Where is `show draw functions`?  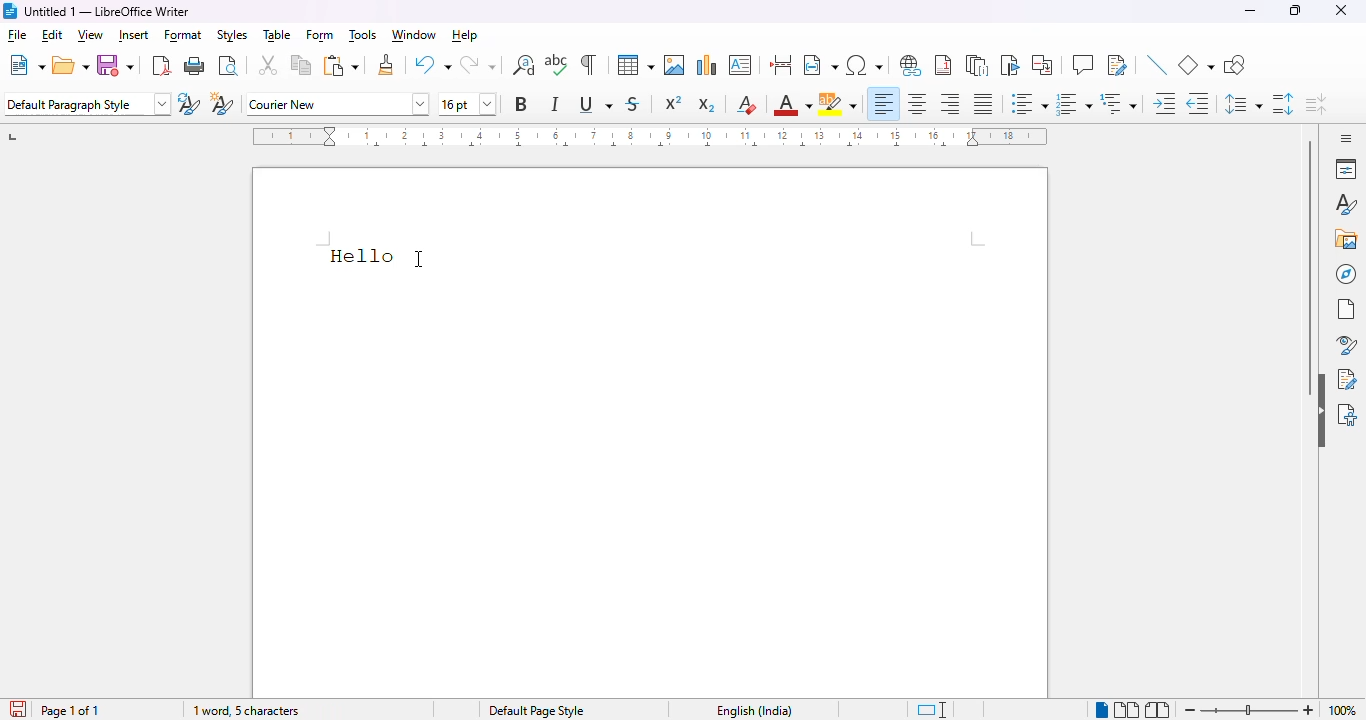
show draw functions is located at coordinates (1233, 65).